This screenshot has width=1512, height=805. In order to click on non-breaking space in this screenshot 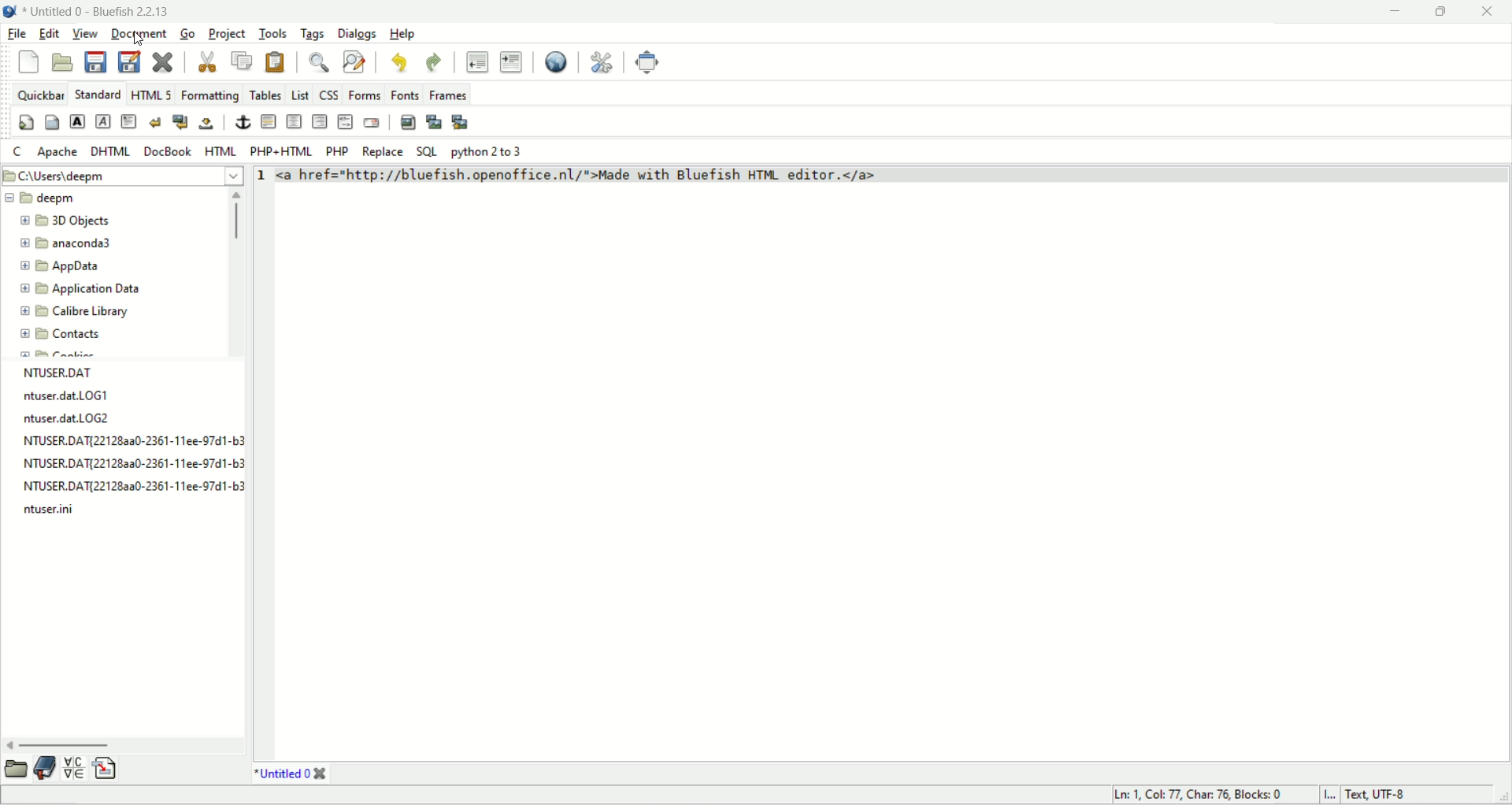, I will do `click(207, 125)`.